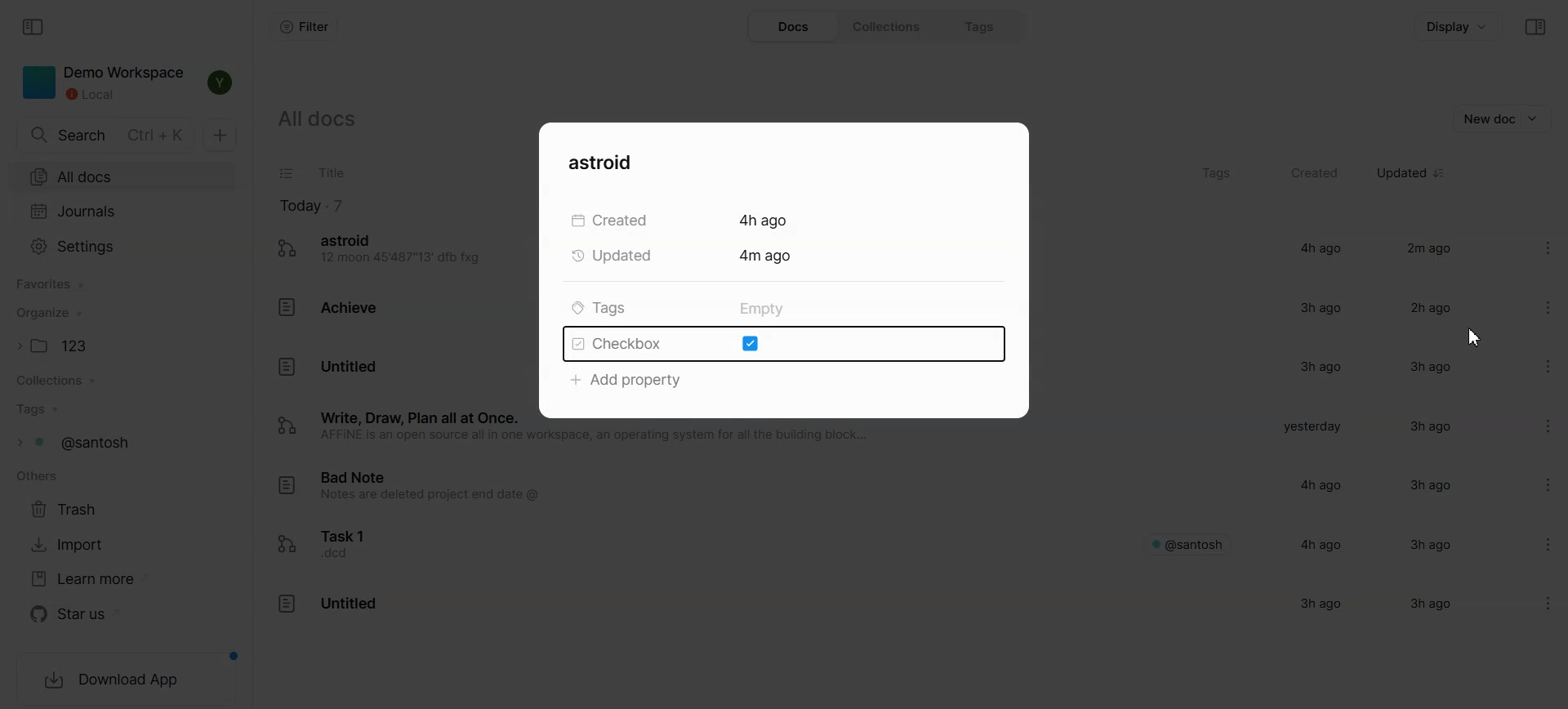 The height and width of the screenshot is (709, 1568). I want to click on 3hago, so click(1425, 428).